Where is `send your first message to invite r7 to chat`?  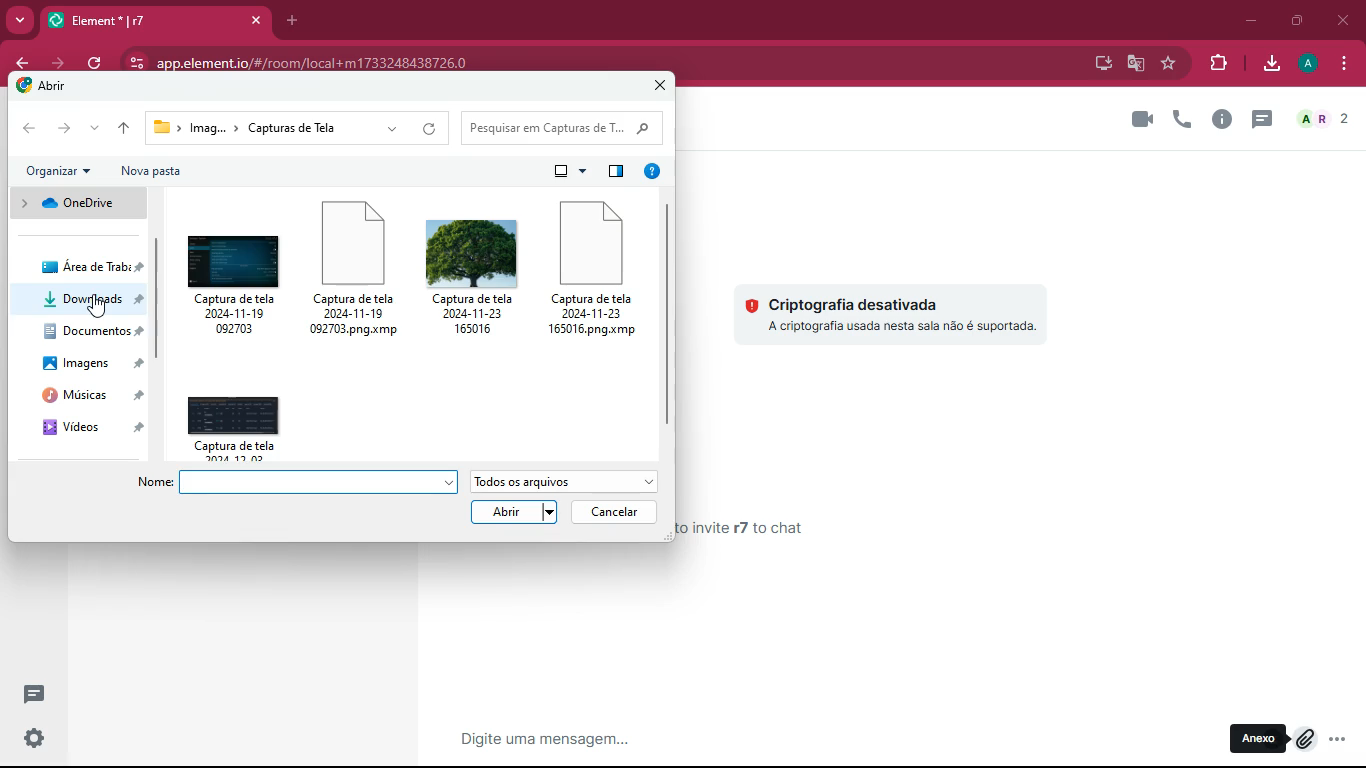 send your first message to invite r7 to chat is located at coordinates (763, 529).